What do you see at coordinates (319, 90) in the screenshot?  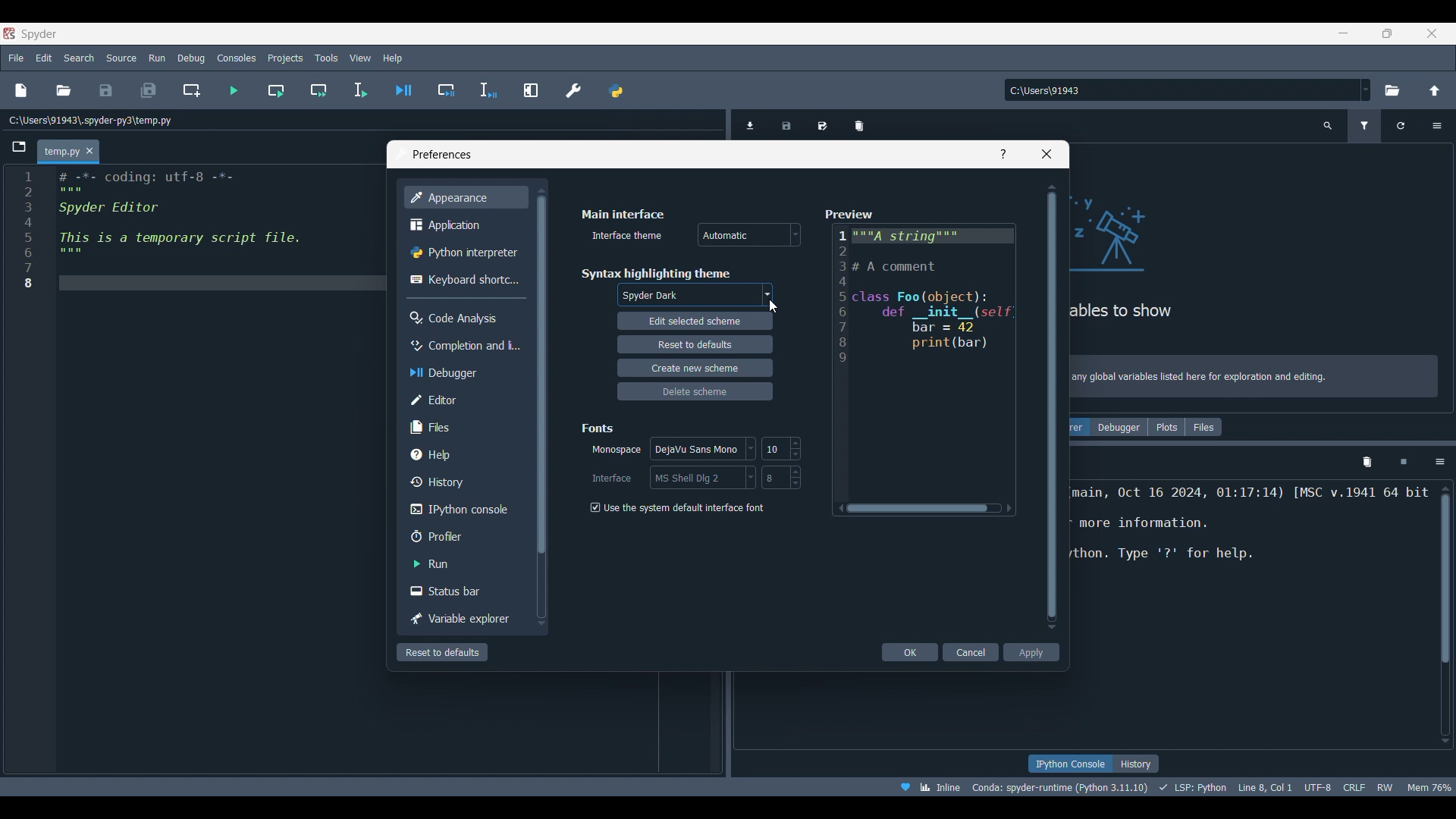 I see `Run current cell and go to next` at bounding box center [319, 90].